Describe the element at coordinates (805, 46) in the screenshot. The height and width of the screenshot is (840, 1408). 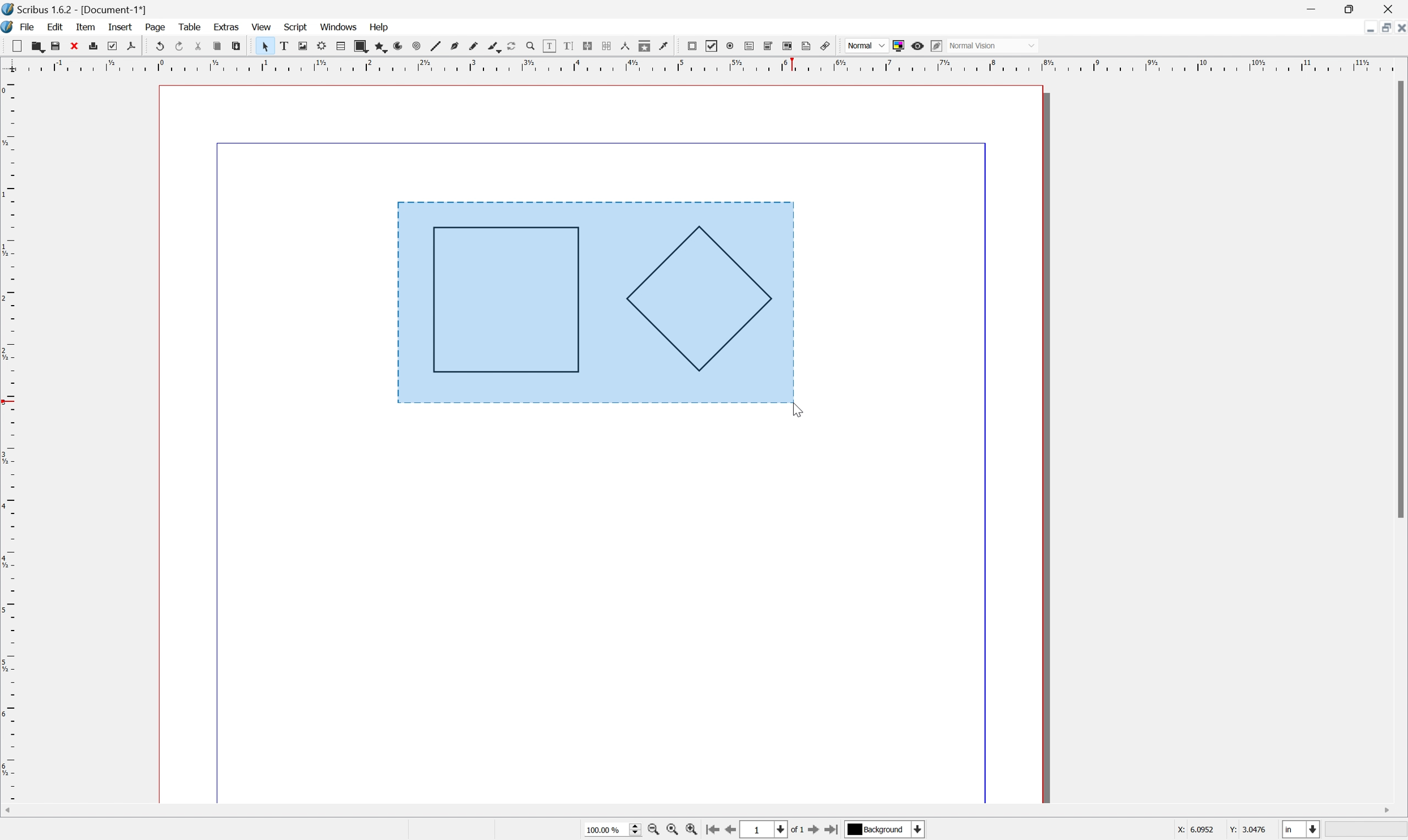
I see `Text annotation` at that location.